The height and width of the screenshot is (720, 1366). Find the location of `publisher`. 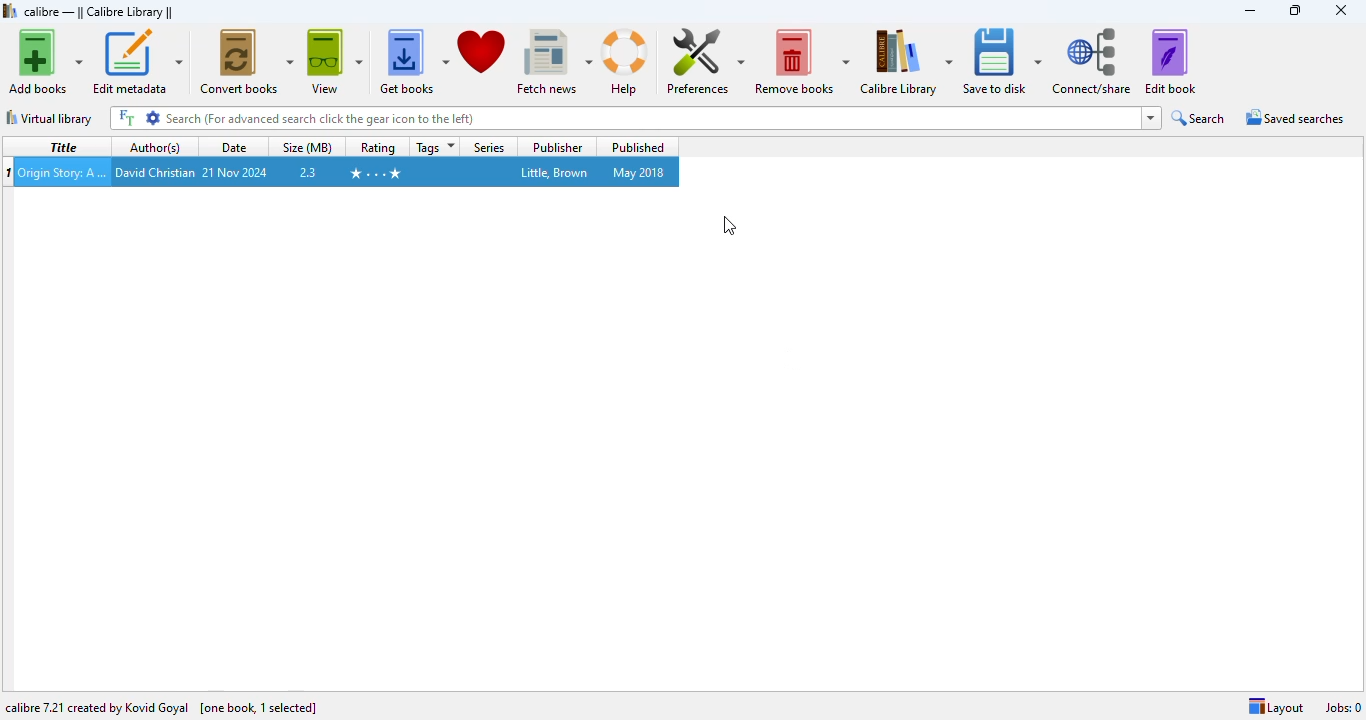

publisher is located at coordinates (557, 148).